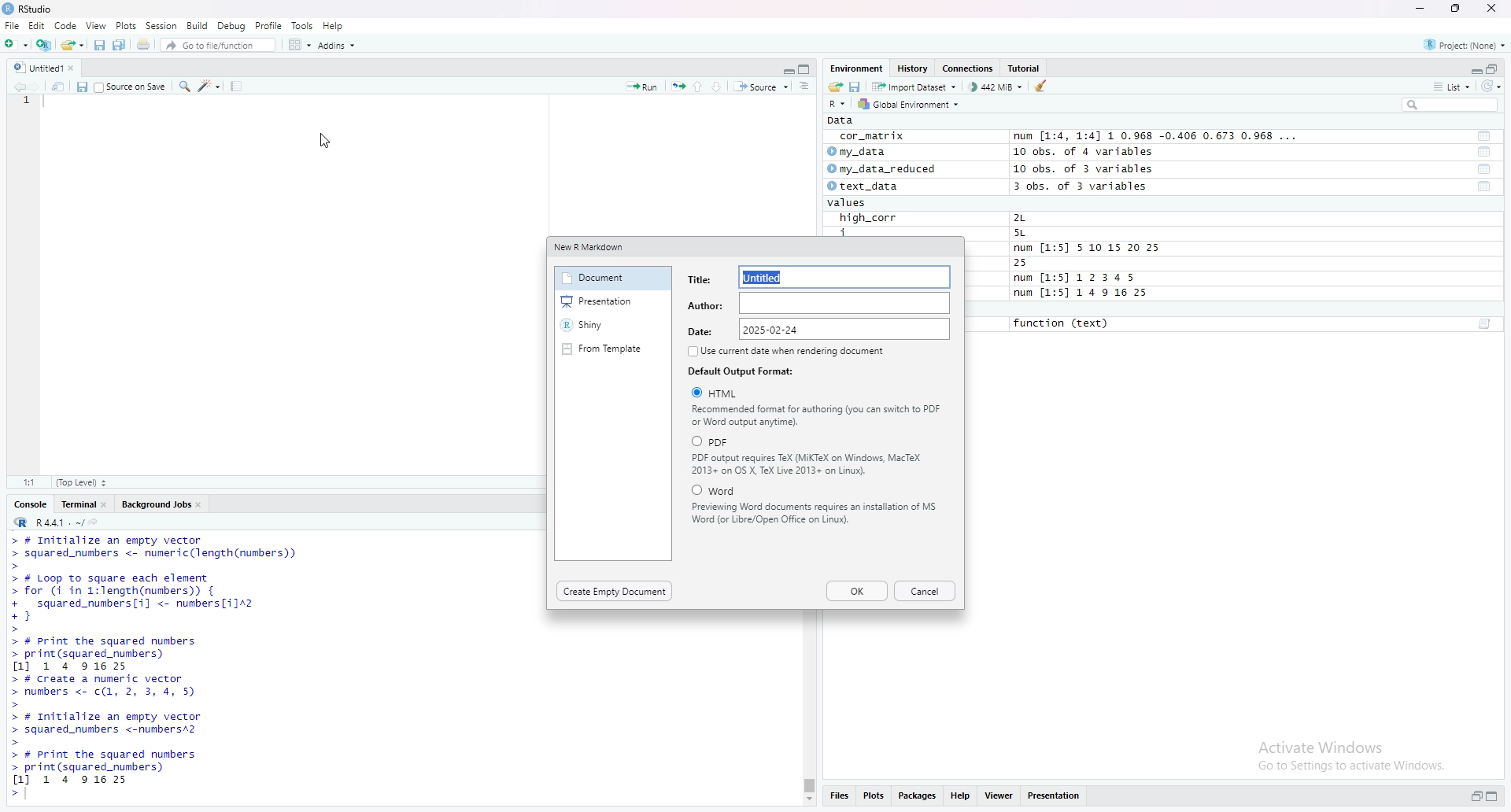 The width and height of the screenshot is (1511, 812). Describe the element at coordinates (891, 169) in the screenshot. I see `my_data_reduced` at that location.